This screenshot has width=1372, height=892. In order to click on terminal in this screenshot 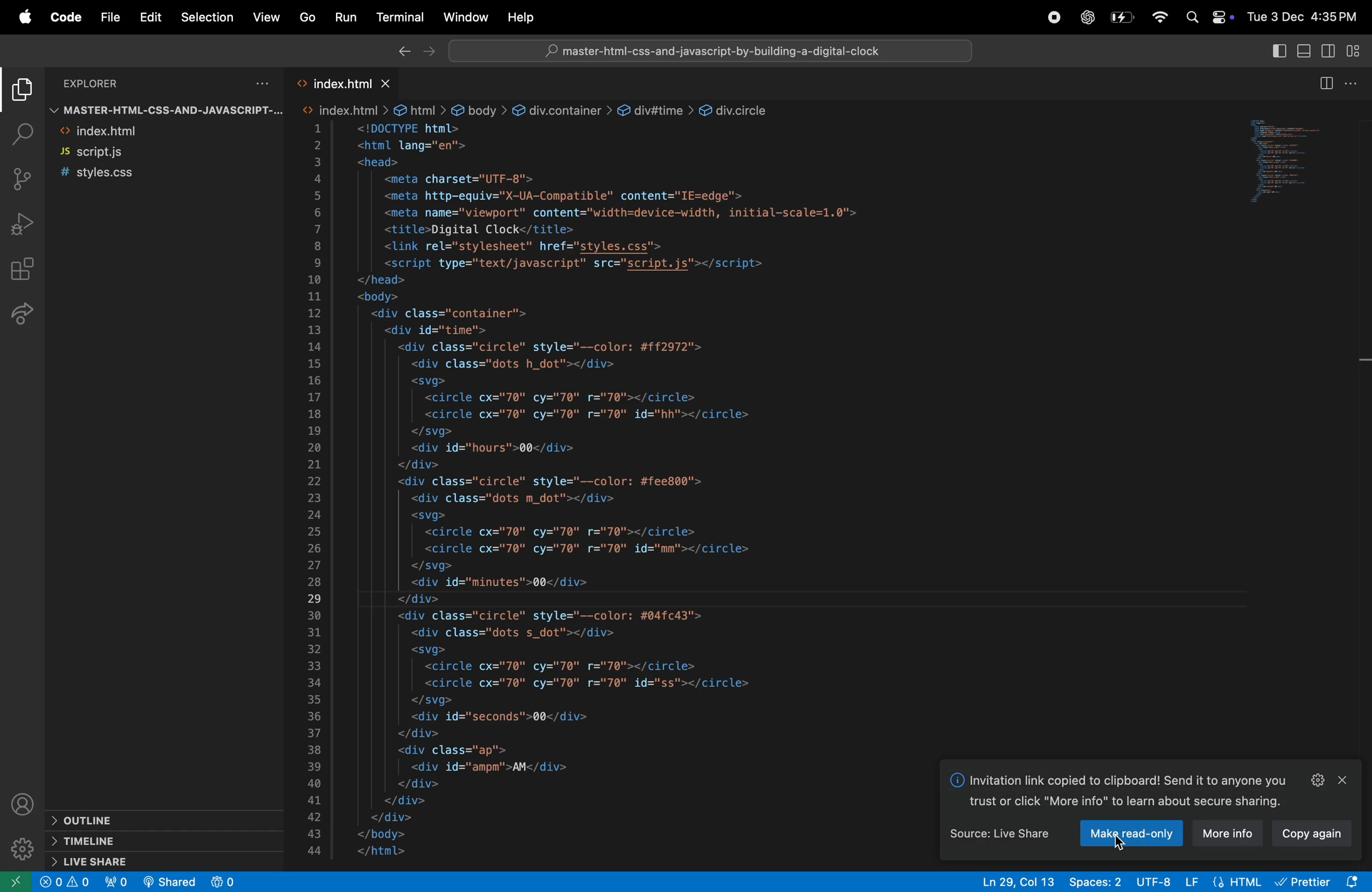, I will do `click(400, 18)`.